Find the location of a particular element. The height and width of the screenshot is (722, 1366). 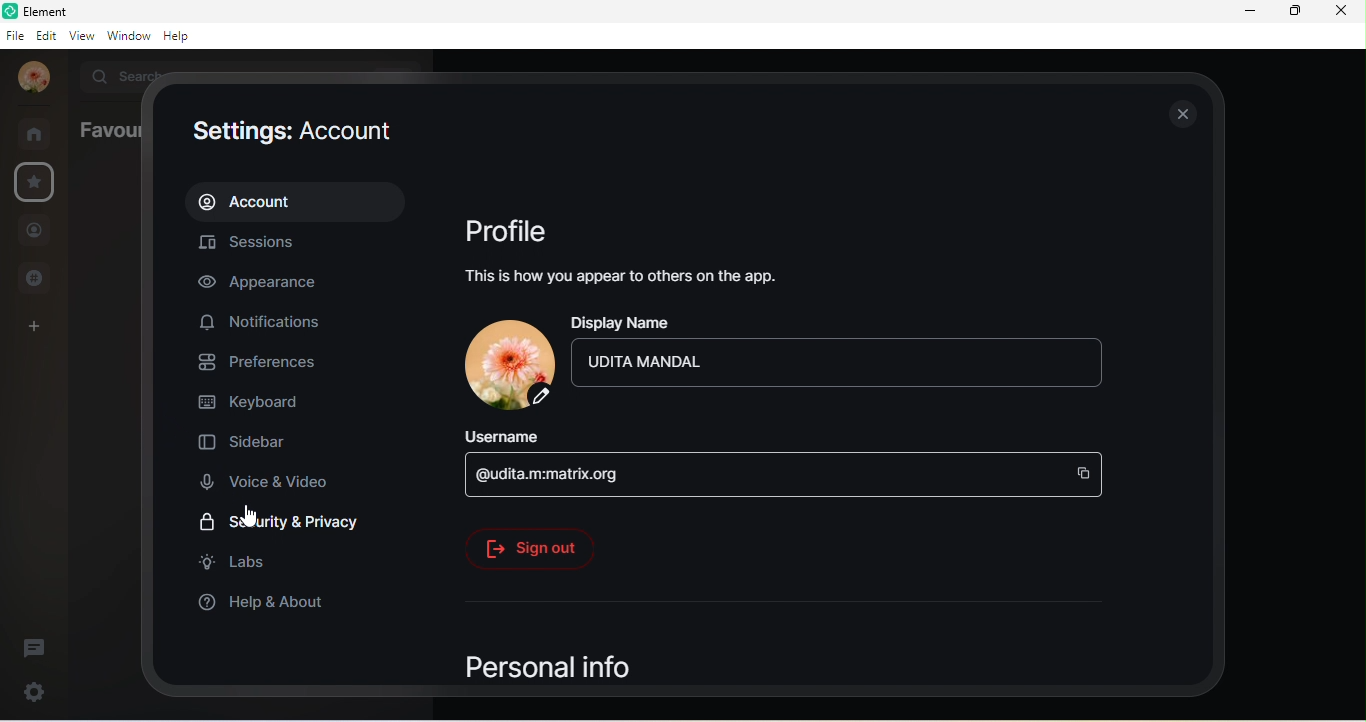

sessions is located at coordinates (255, 246).